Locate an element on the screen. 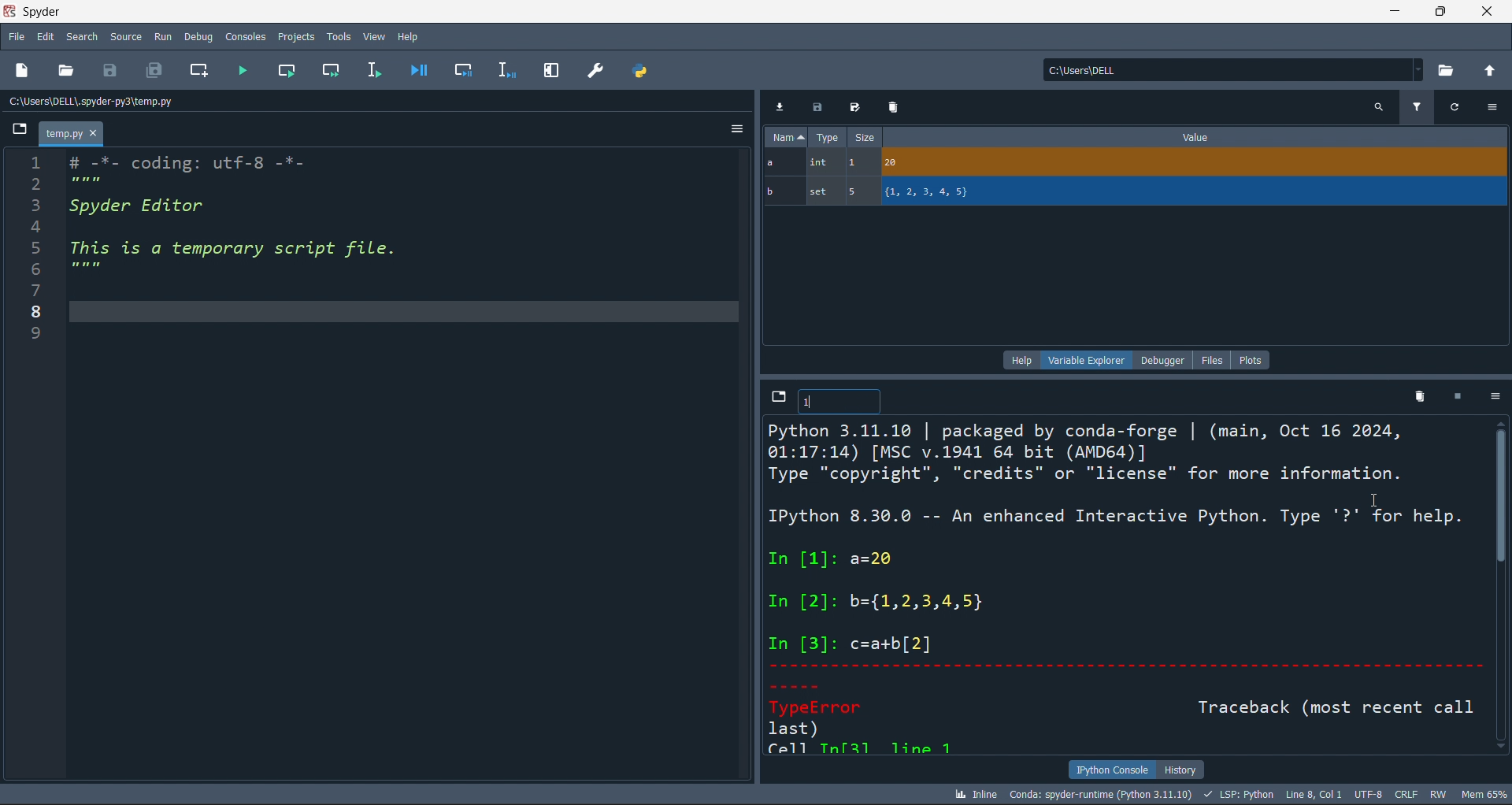 The width and height of the screenshot is (1512, 805). options is located at coordinates (1493, 107).